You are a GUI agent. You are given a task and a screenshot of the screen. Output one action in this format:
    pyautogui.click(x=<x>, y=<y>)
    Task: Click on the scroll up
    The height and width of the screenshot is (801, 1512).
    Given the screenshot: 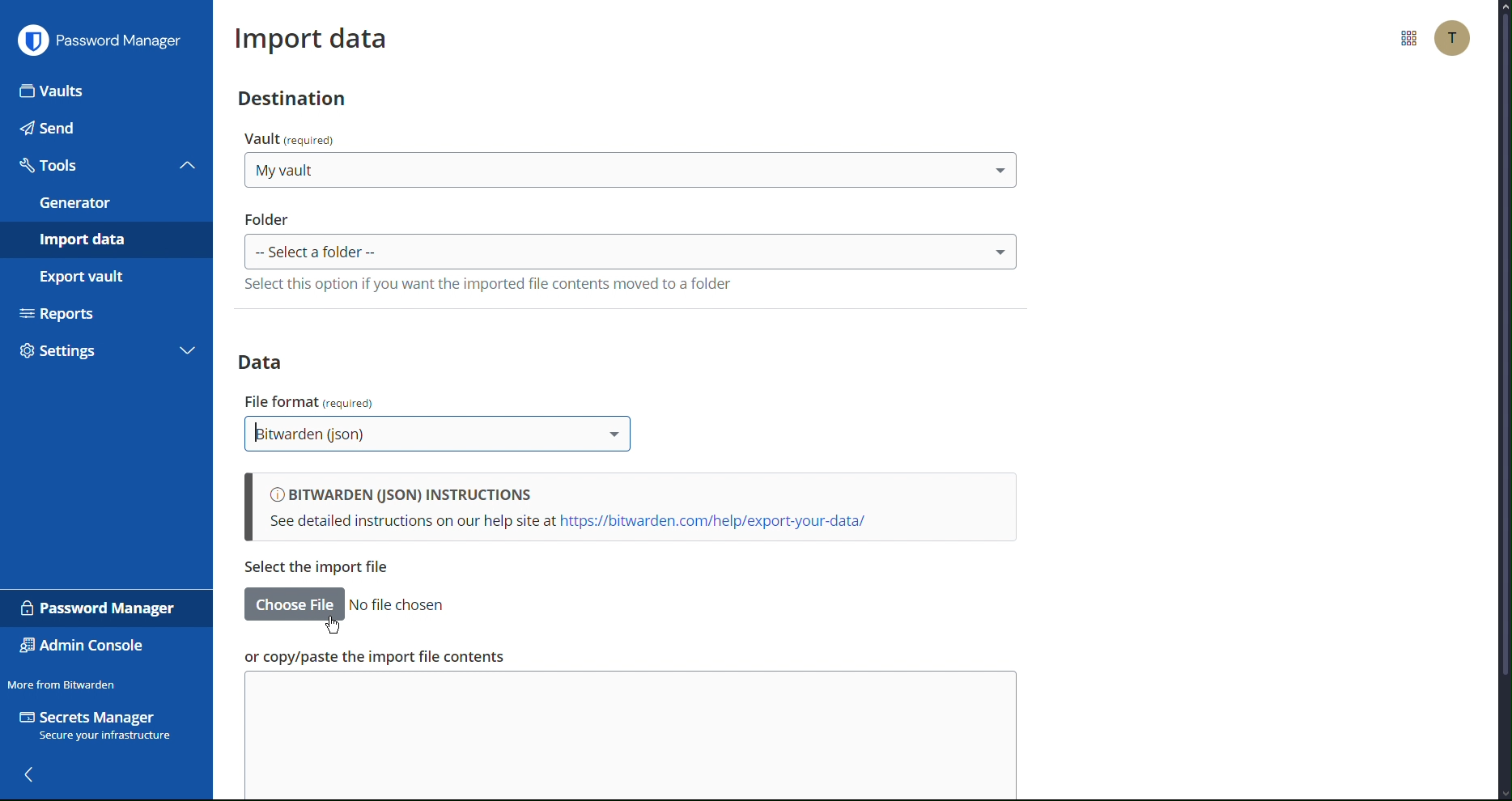 What is the action you would take?
    pyautogui.click(x=1502, y=6)
    